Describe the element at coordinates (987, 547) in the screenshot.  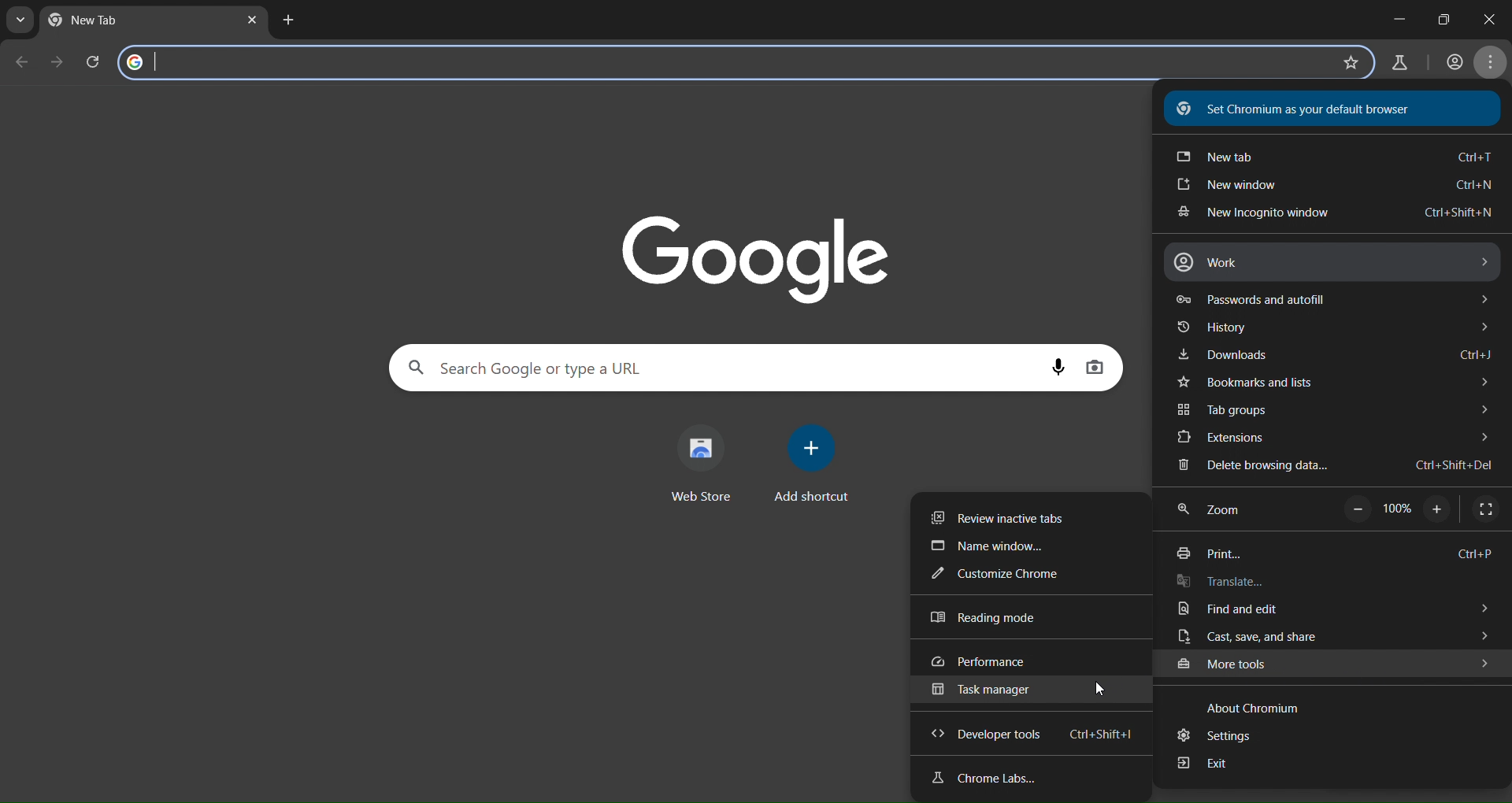
I see `name window` at that location.